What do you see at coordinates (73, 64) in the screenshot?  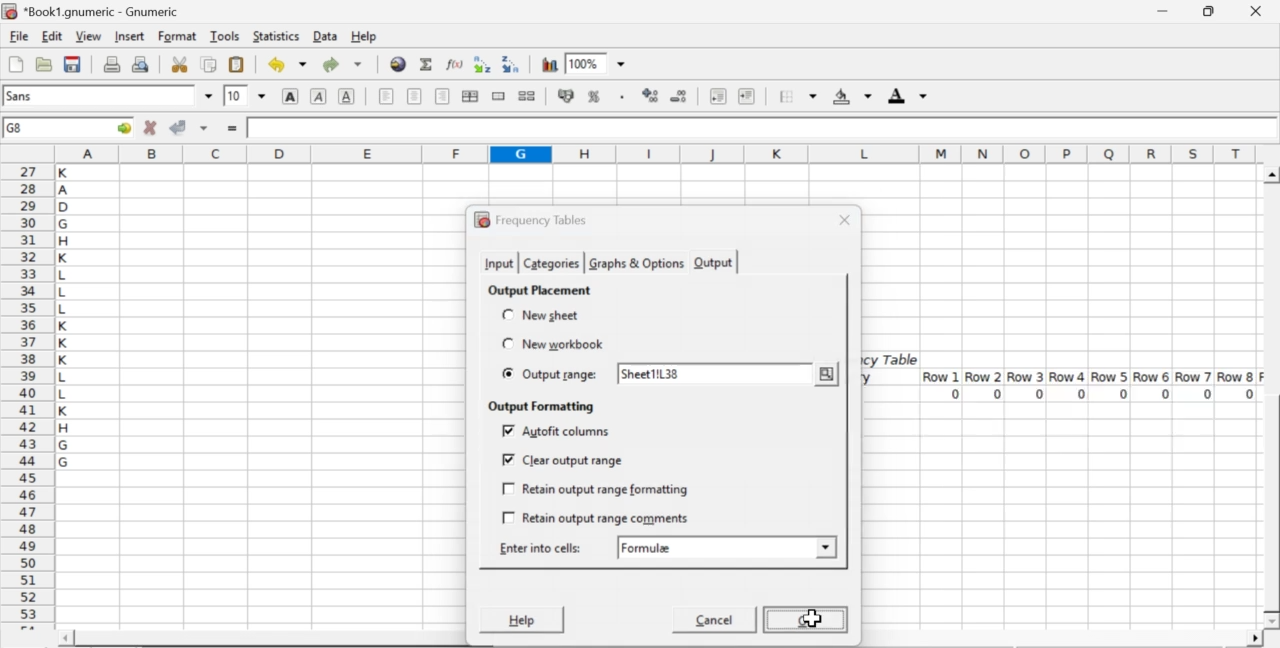 I see `save current workbook` at bounding box center [73, 64].